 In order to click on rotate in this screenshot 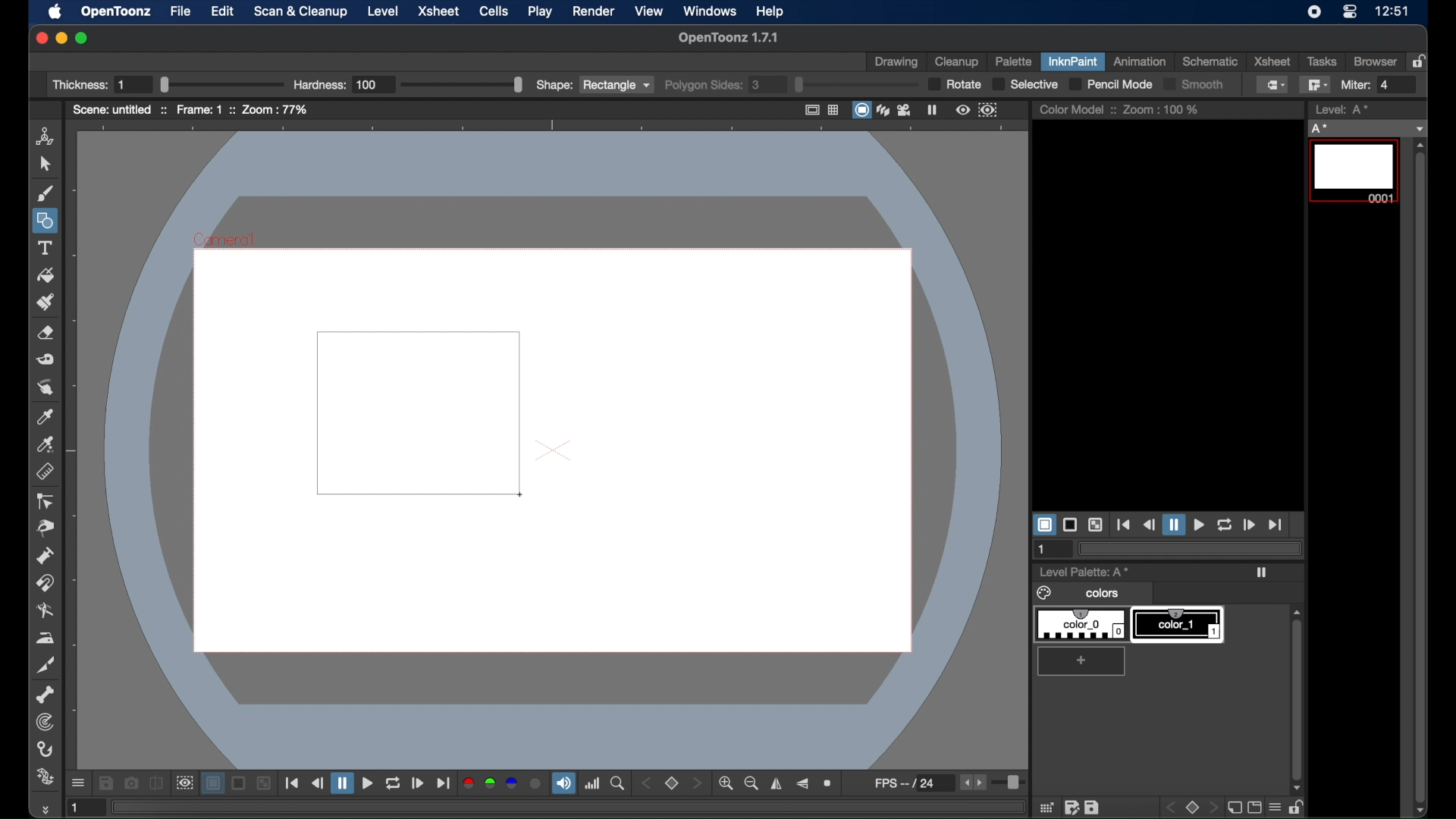, I will do `click(955, 85)`.